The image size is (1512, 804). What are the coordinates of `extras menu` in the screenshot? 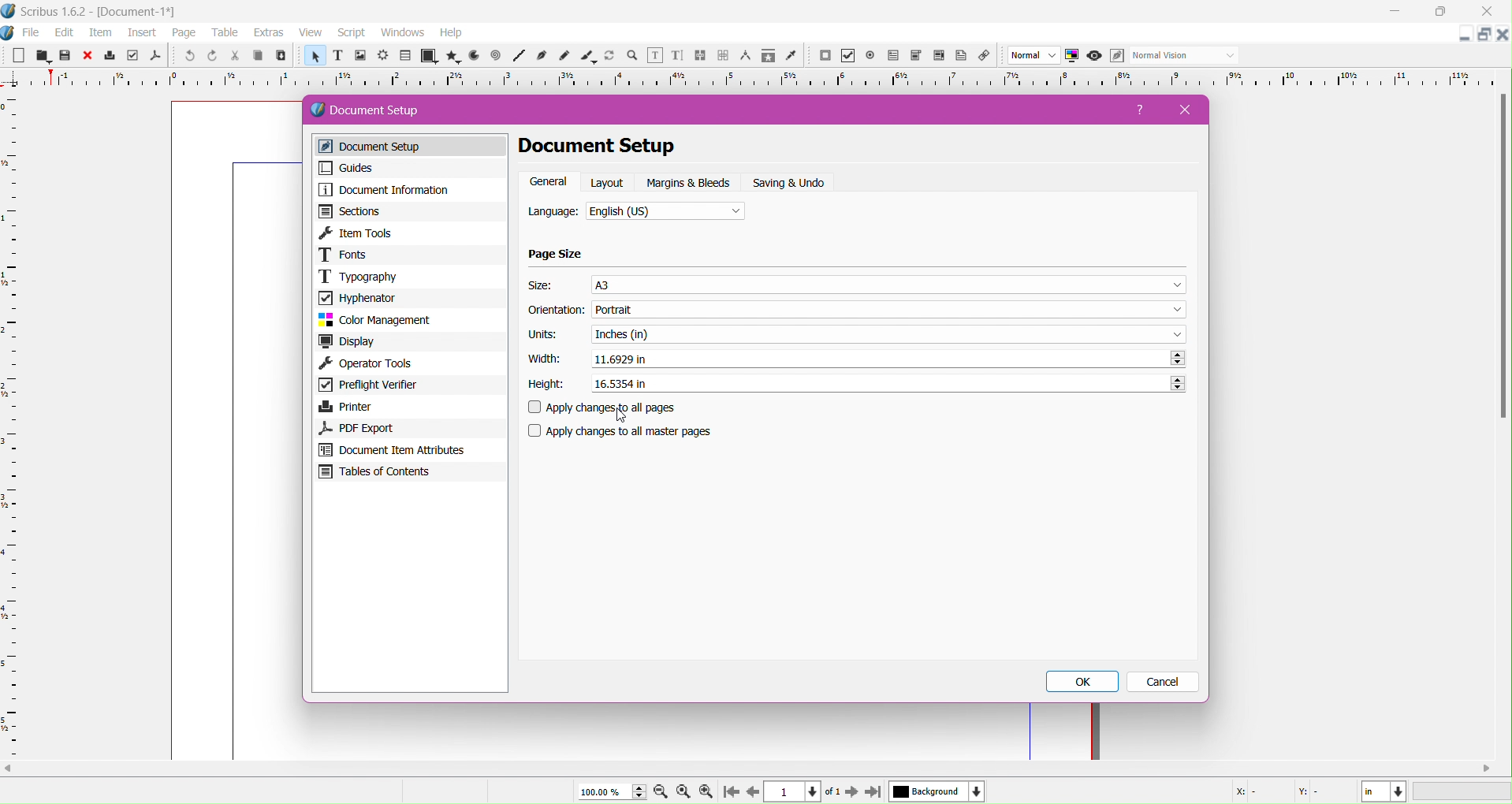 It's located at (270, 33).